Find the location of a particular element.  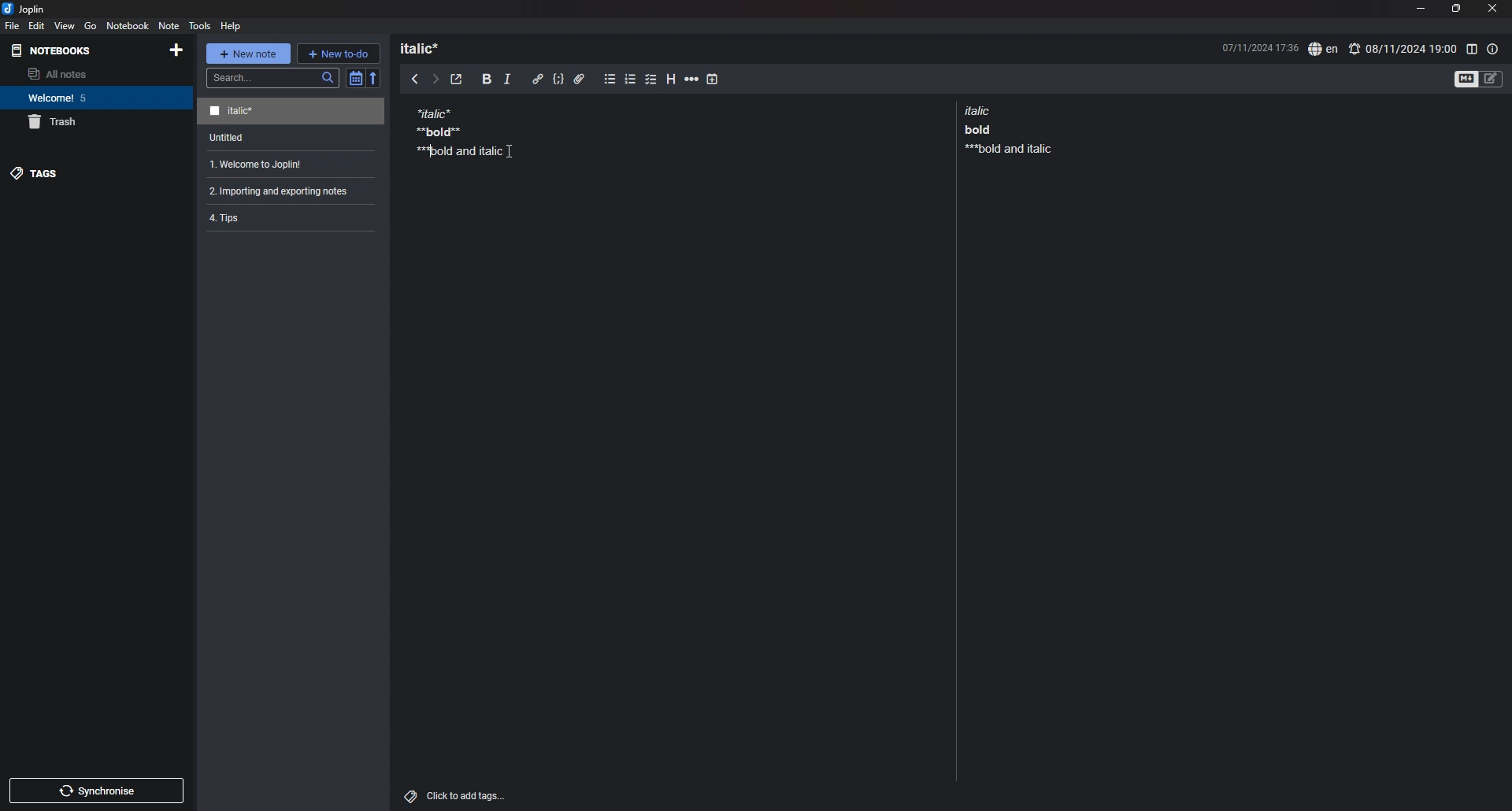

toggle external editor is located at coordinates (457, 80).